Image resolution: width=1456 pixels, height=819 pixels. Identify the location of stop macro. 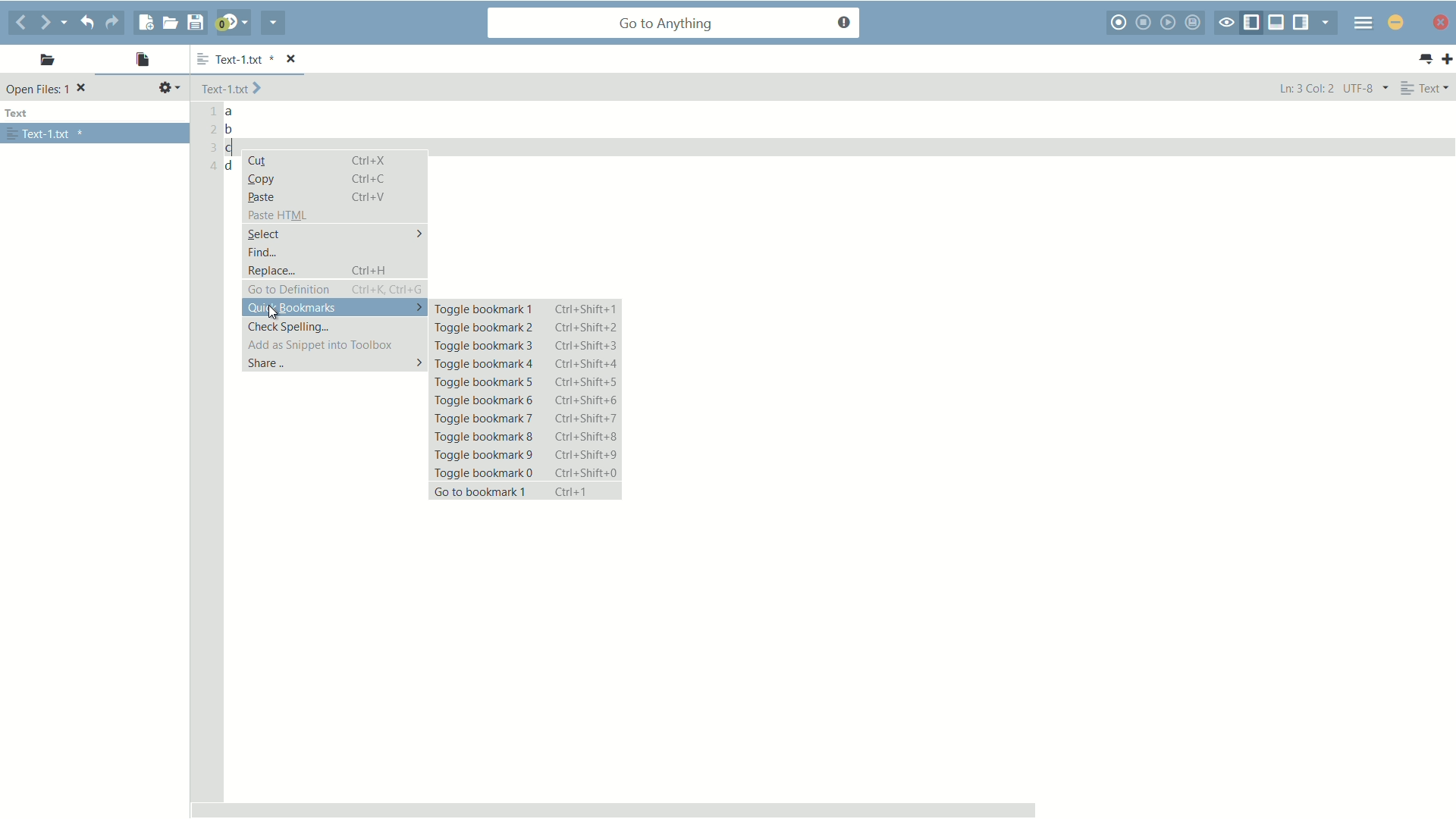
(1146, 22).